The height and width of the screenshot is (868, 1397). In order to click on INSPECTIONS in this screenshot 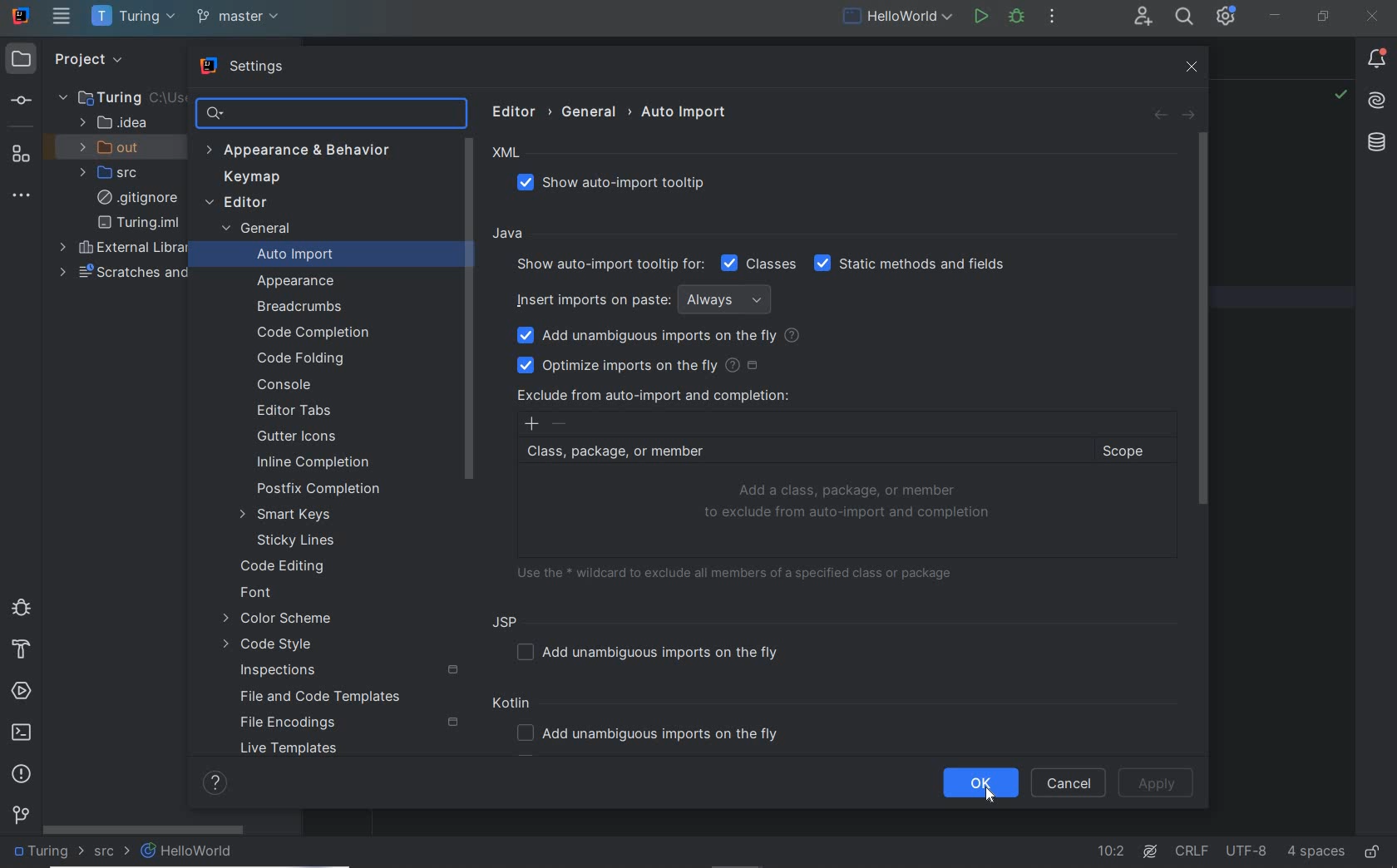, I will do `click(350, 671)`.